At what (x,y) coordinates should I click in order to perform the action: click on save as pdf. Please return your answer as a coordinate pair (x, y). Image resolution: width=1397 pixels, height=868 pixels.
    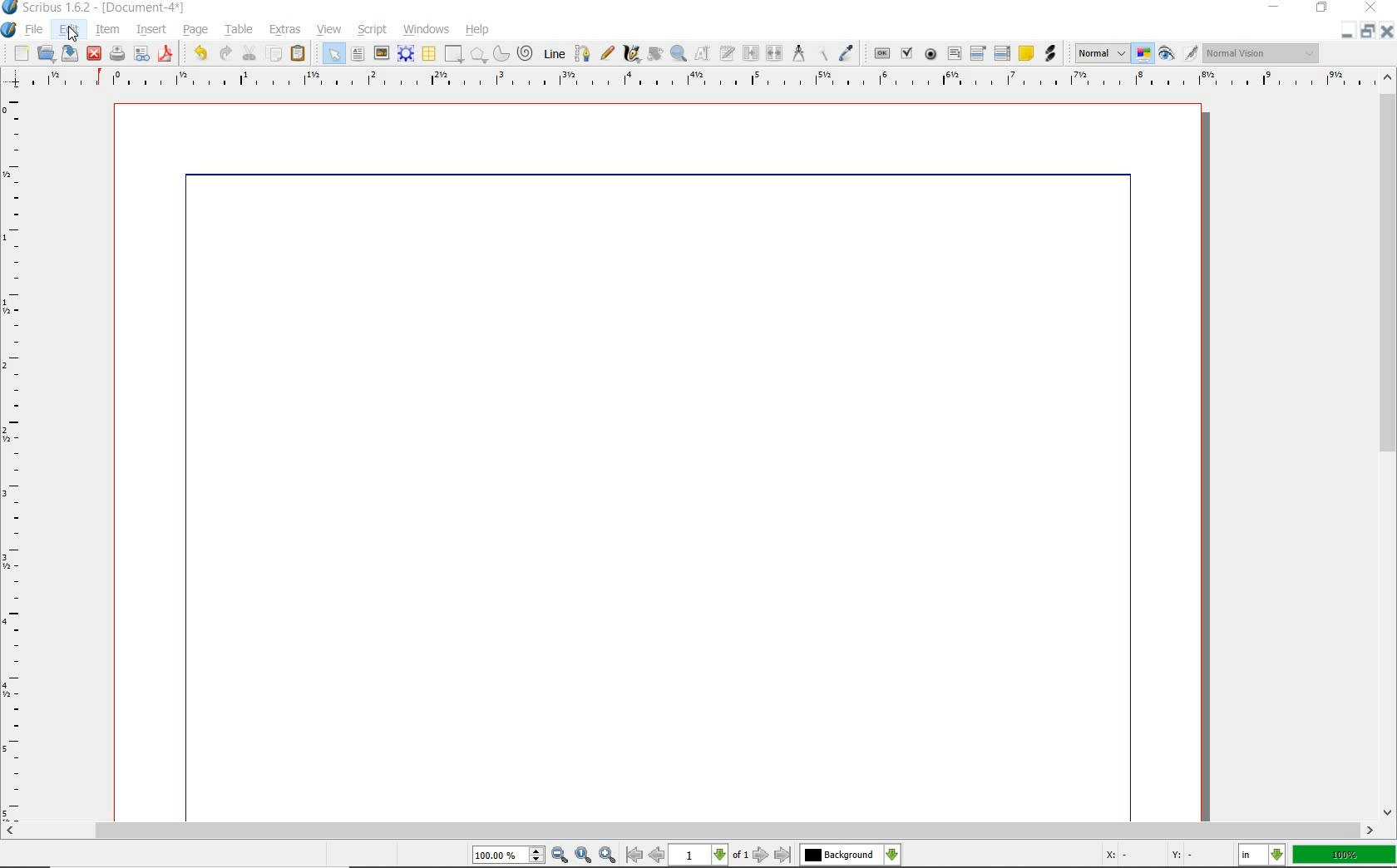
    Looking at the image, I should click on (164, 53).